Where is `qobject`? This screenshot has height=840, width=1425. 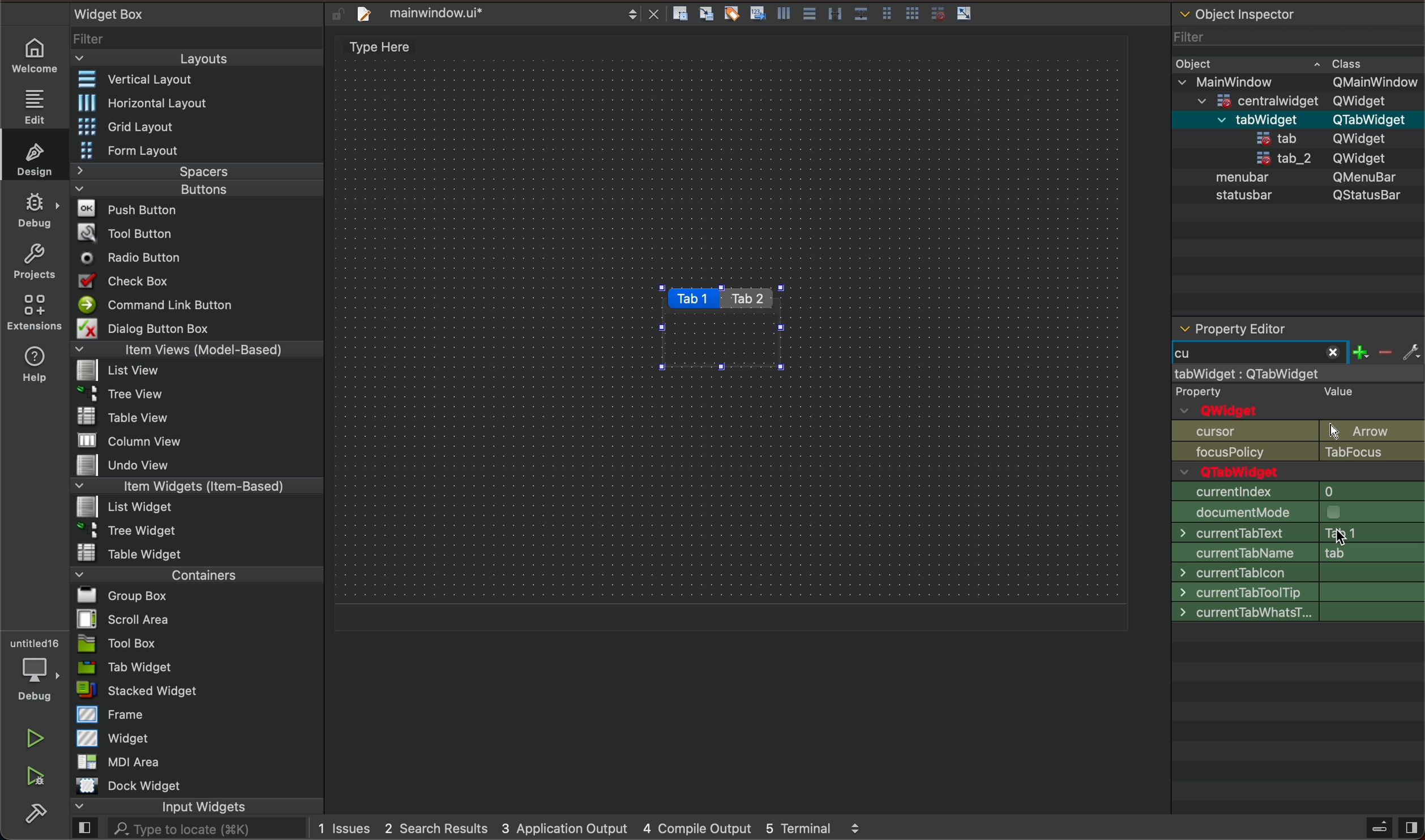 qobject is located at coordinates (1295, 400).